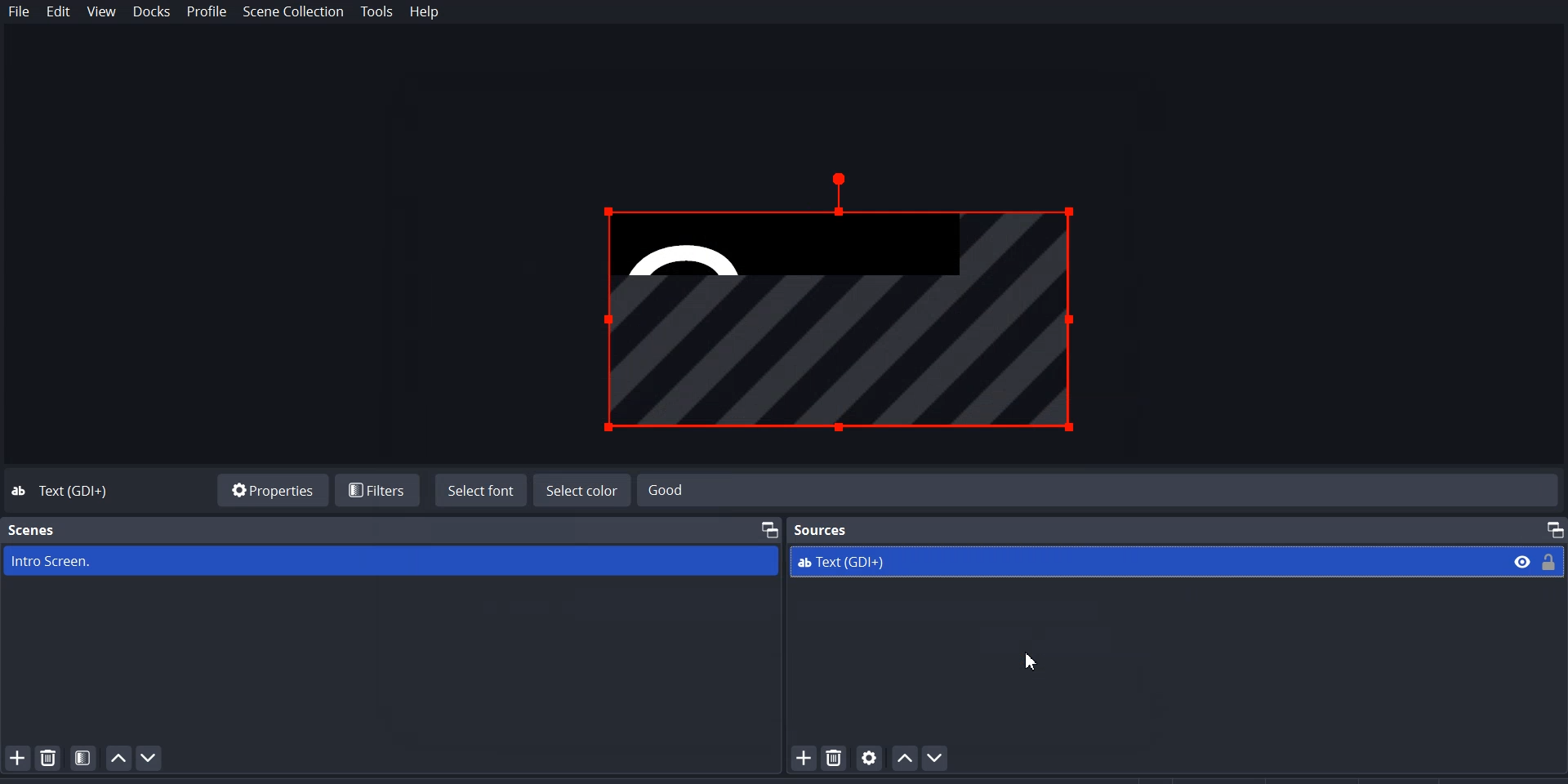 The height and width of the screenshot is (784, 1568). What do you see at coordinates (870, 757) in the screenshot?
I see `open source properties` at bounding box center [870, 757].